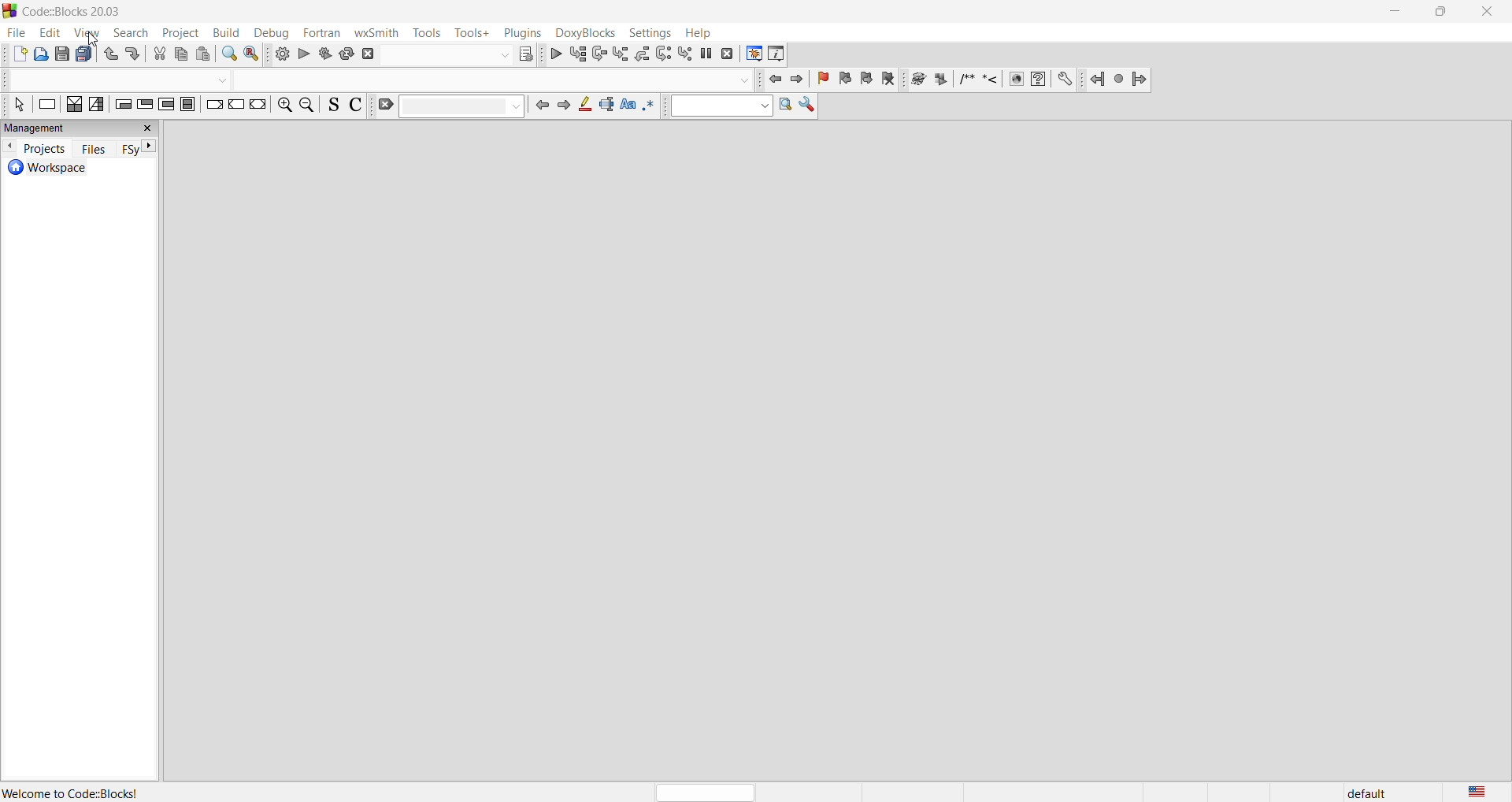 The image size is (1512, 802). What do you see at coordinates (991, 80) in the screenshot?
I see `Insert line` at bounding box center [991, 80].